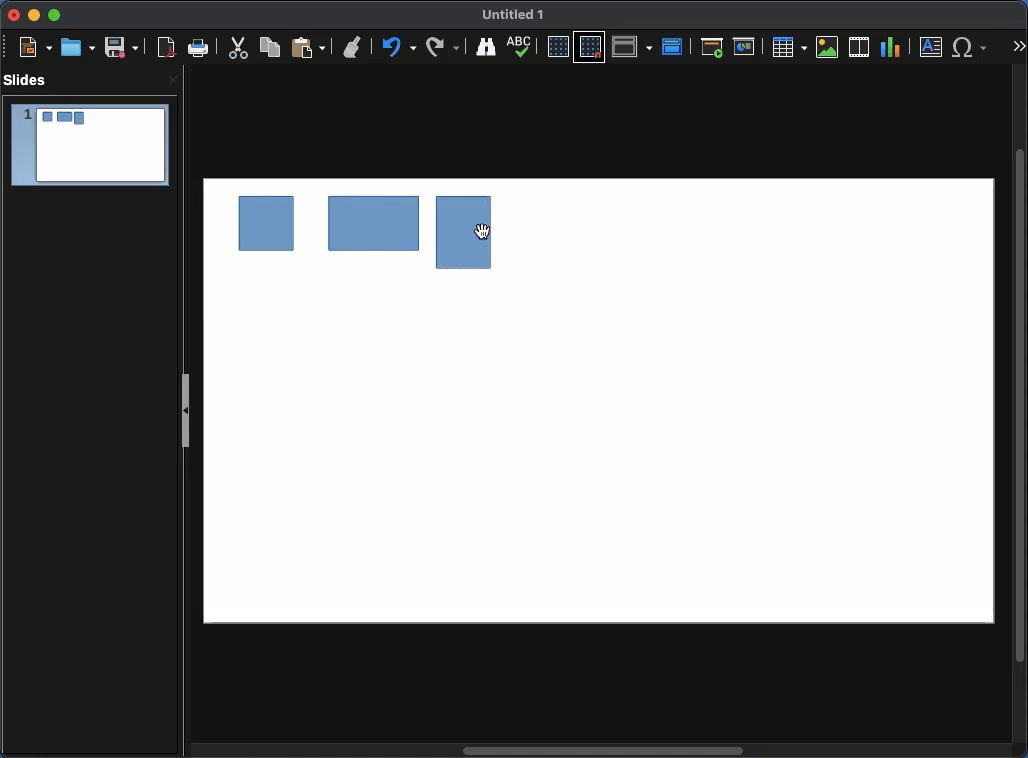 This screenshot has width=1028, height=758. Describe the element at coordinates (30, 47) in the screenshot. I see `New` at that location.